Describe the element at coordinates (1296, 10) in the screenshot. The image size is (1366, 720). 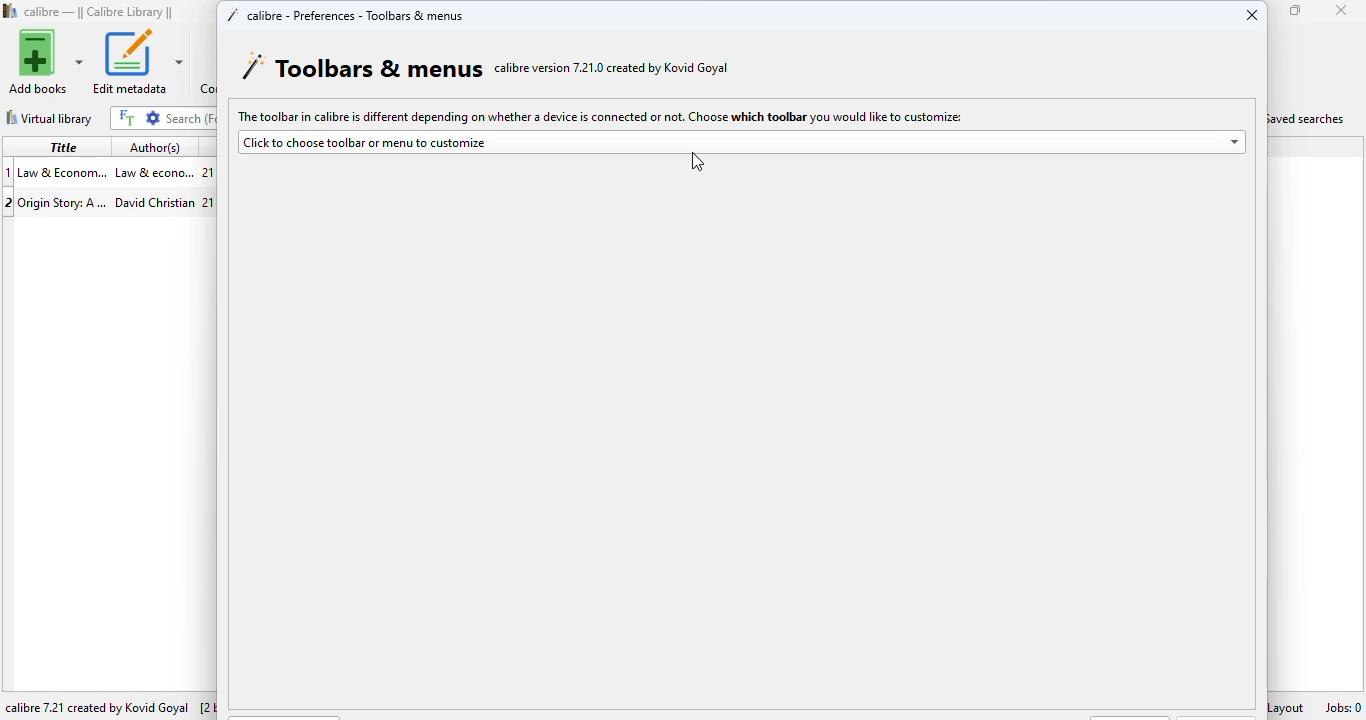
I see `maximize` at that location.